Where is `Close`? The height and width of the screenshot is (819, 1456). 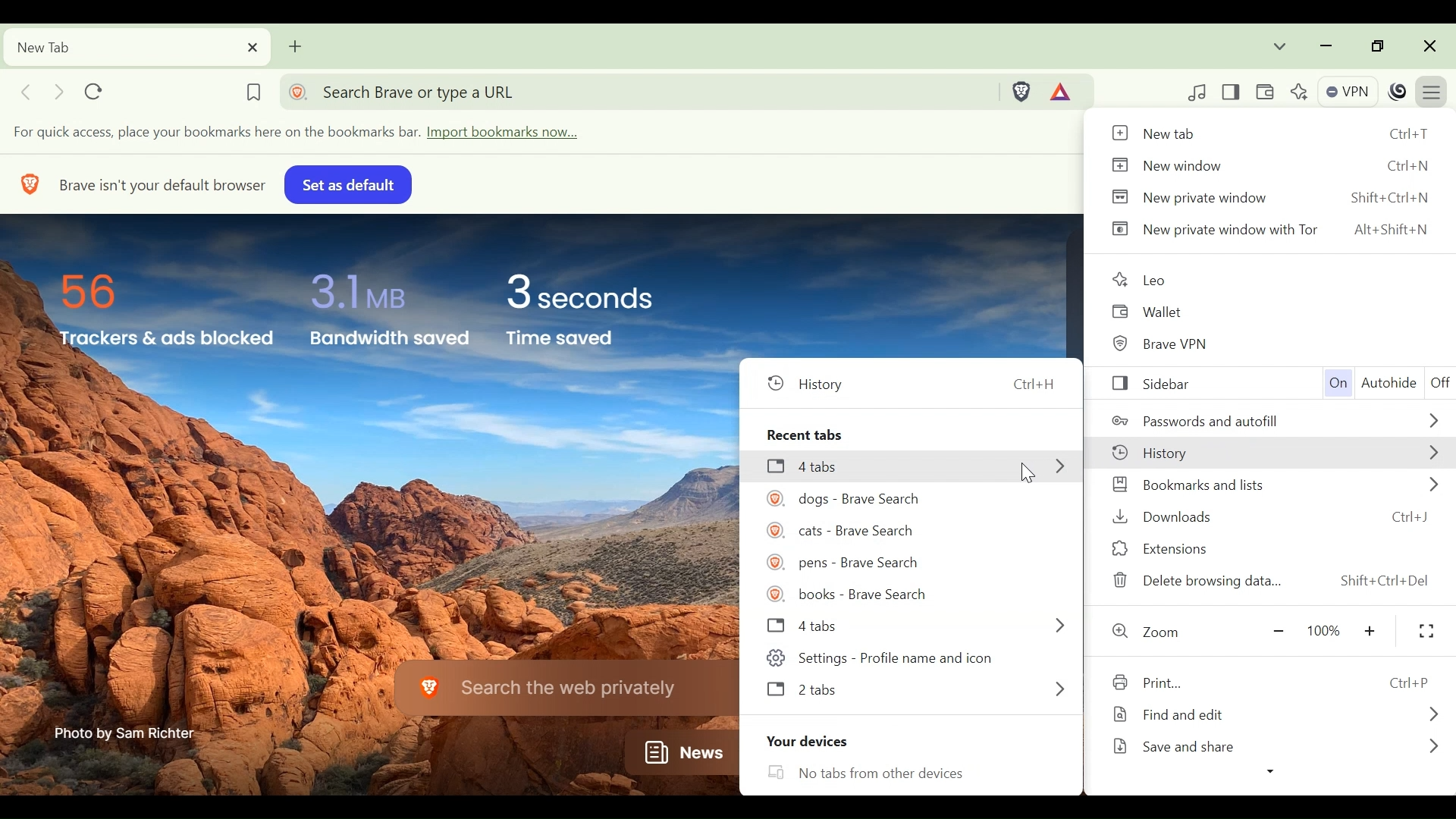 Close is located at coordinates (1430, 45).